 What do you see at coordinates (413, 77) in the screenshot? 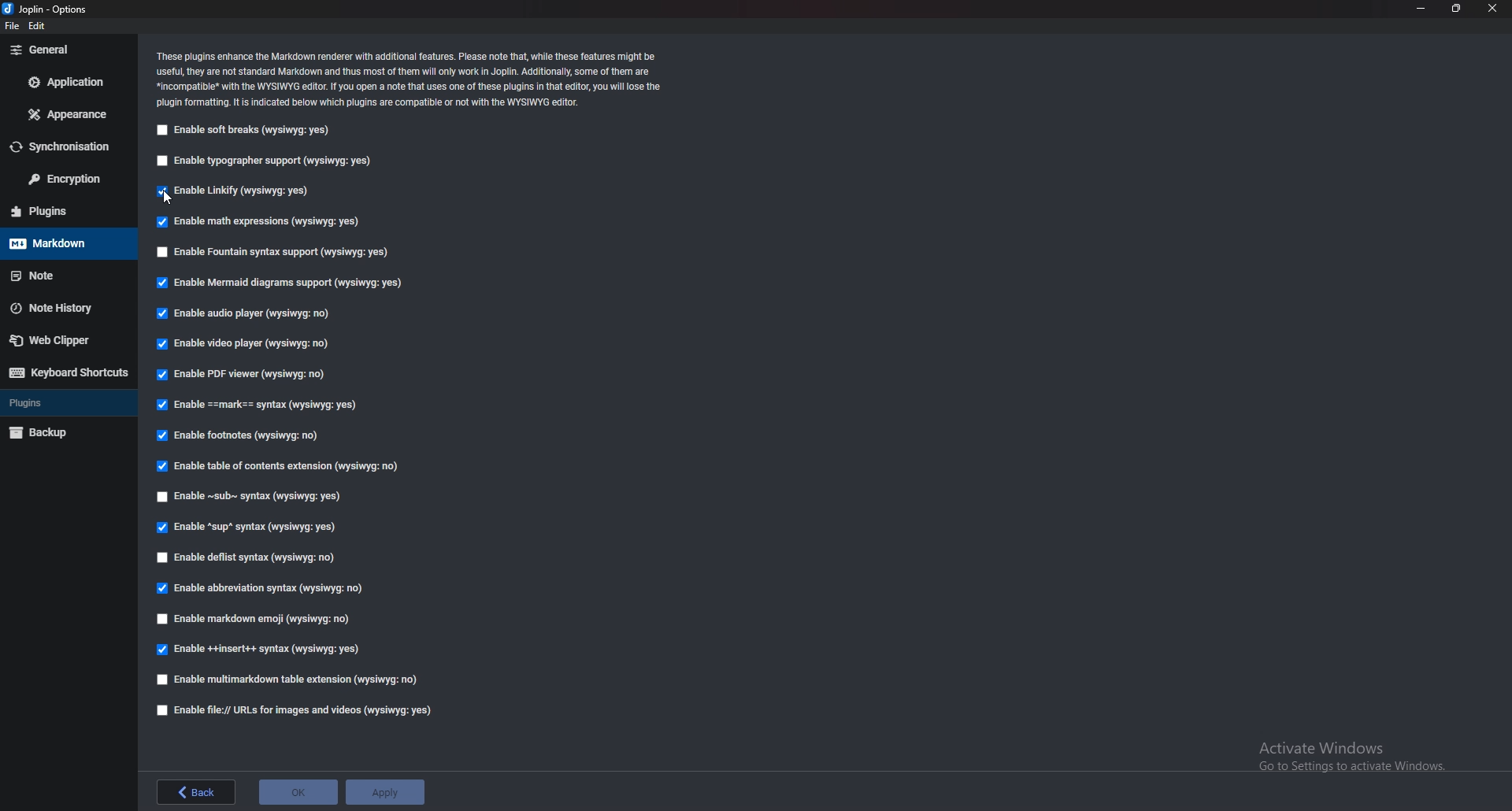
I see `Info` at bounding box center [413, 77].